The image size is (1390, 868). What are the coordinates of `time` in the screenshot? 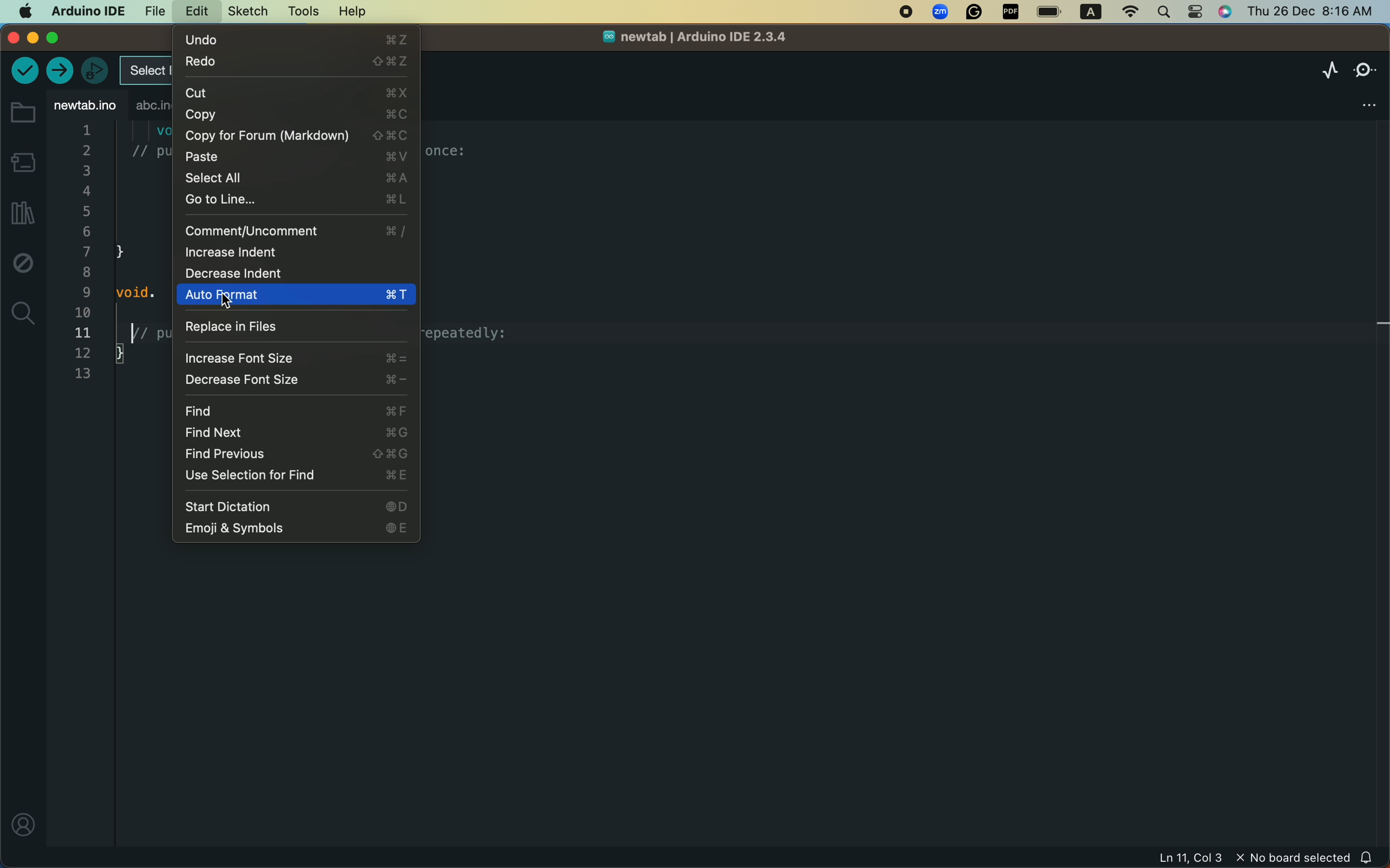 It's located at (1308, 10).